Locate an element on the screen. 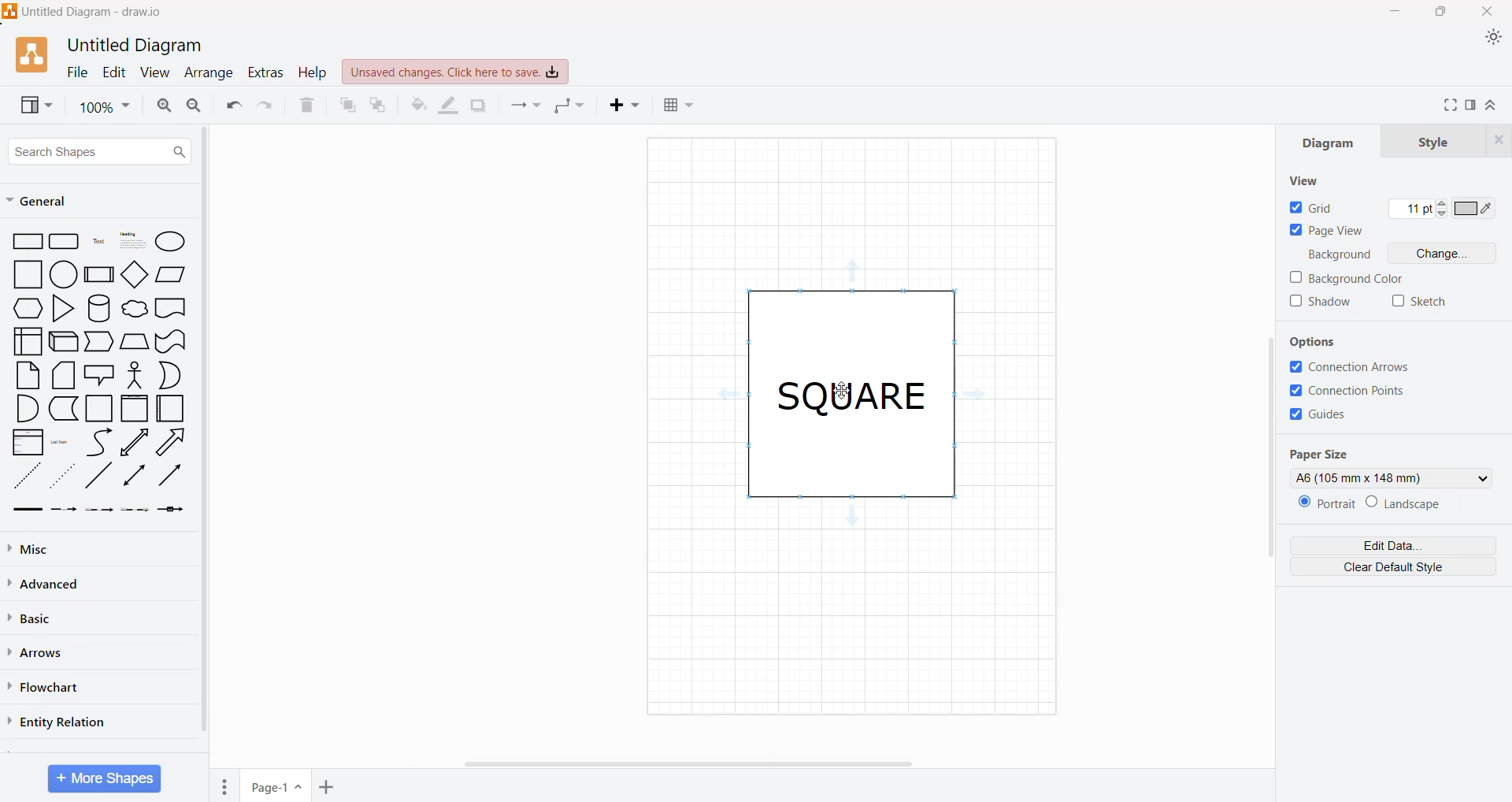 The height and width of the screenshot is (802, 1512). Format is located at coordinates (1471, 105).